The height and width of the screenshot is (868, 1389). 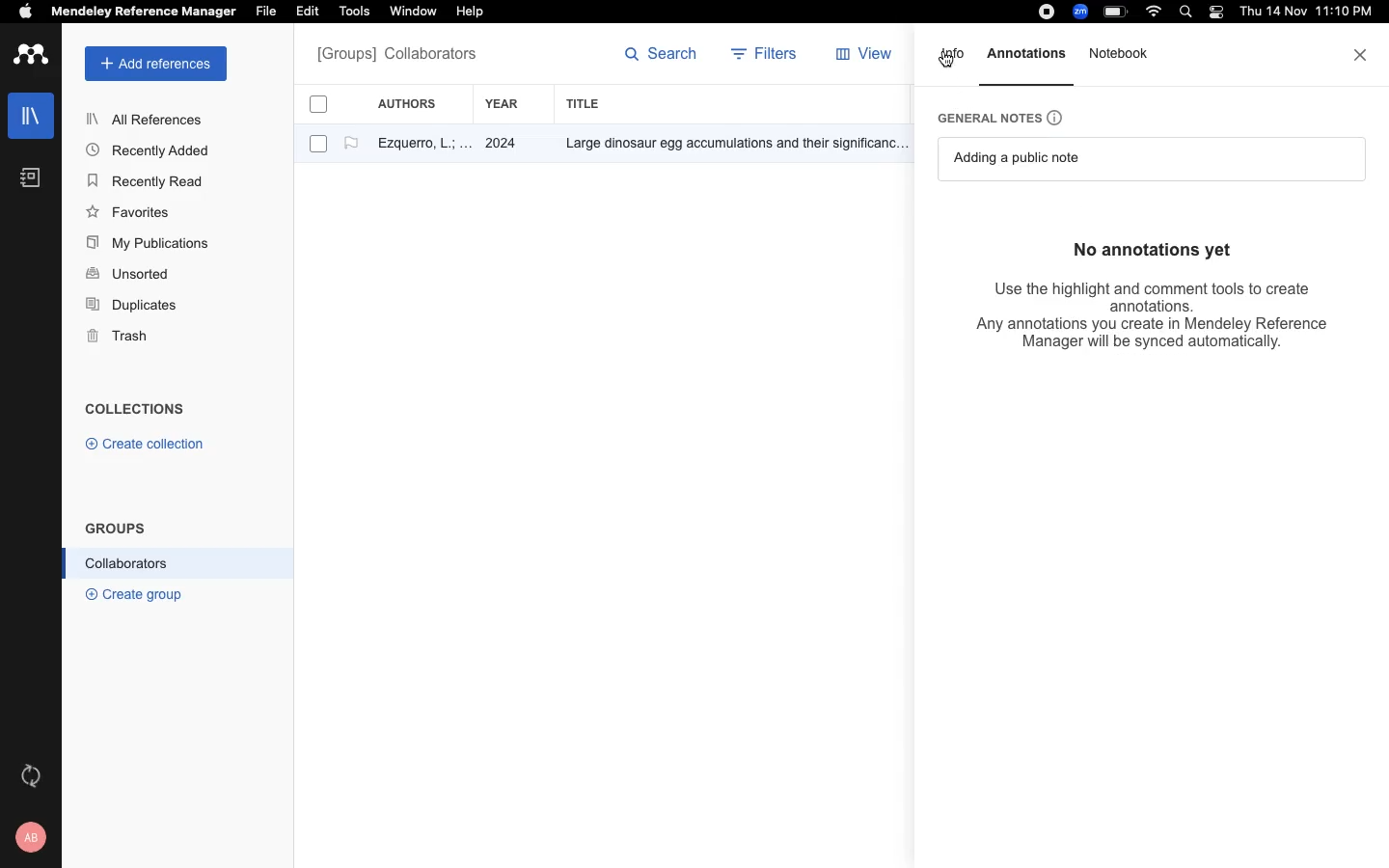 What do you see at coordinates (149, 246) in the screenshot?
I see `My Publications` at bounding box center [149, 246].